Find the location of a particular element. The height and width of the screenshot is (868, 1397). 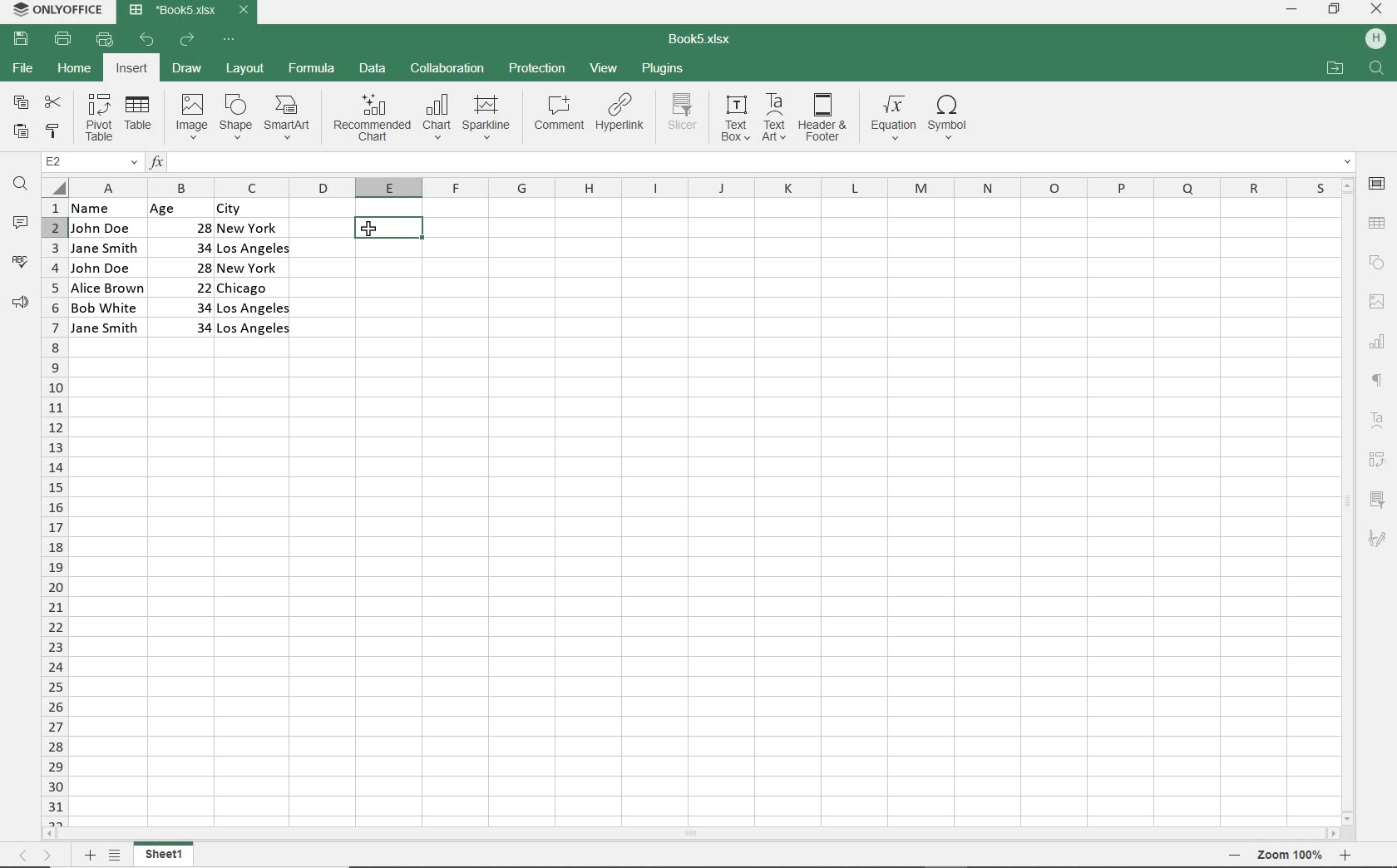

REDO is located at coordinates (186, 42).